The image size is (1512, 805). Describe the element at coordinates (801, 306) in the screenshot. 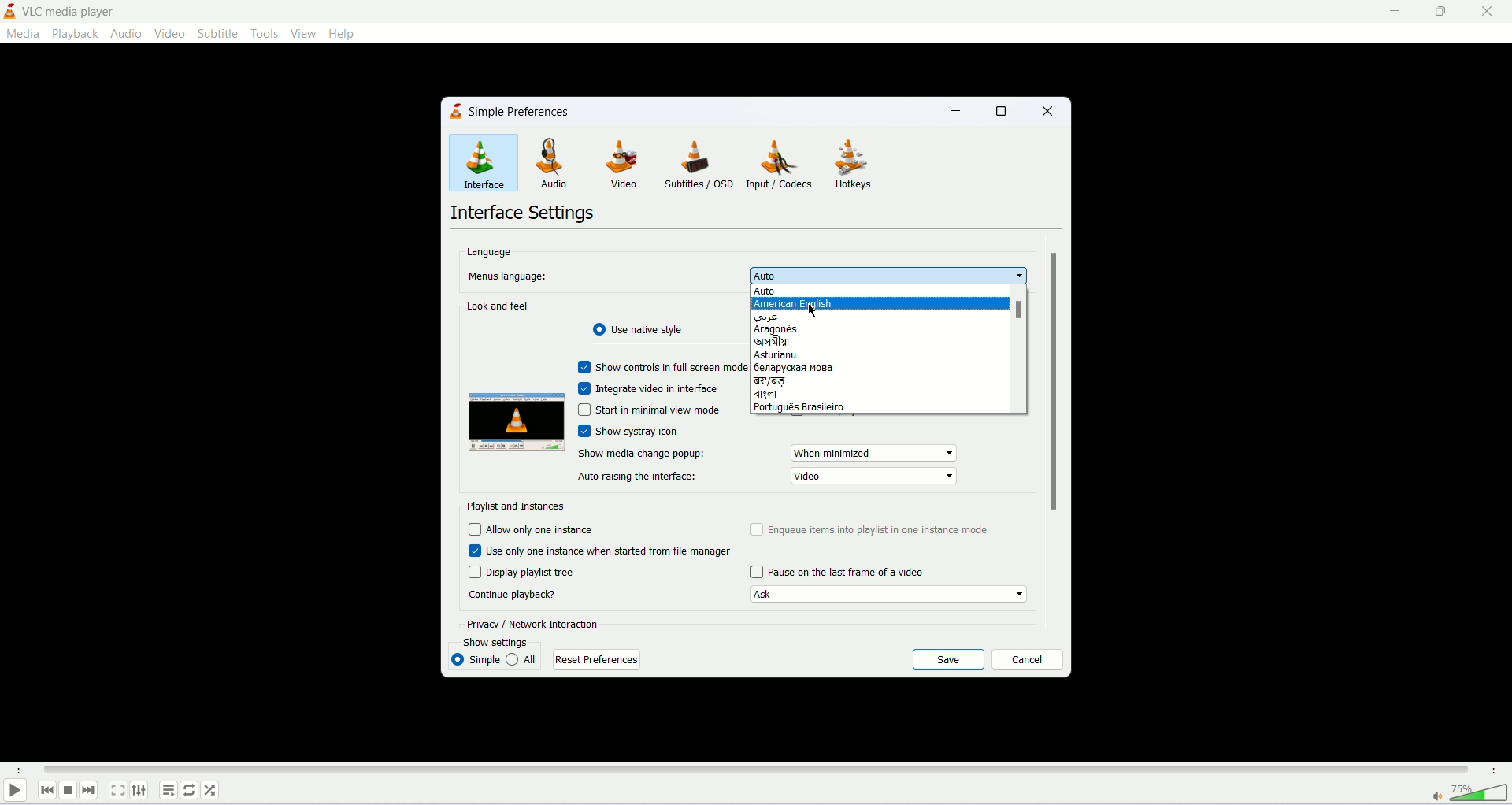

I see `americal english` at that location.